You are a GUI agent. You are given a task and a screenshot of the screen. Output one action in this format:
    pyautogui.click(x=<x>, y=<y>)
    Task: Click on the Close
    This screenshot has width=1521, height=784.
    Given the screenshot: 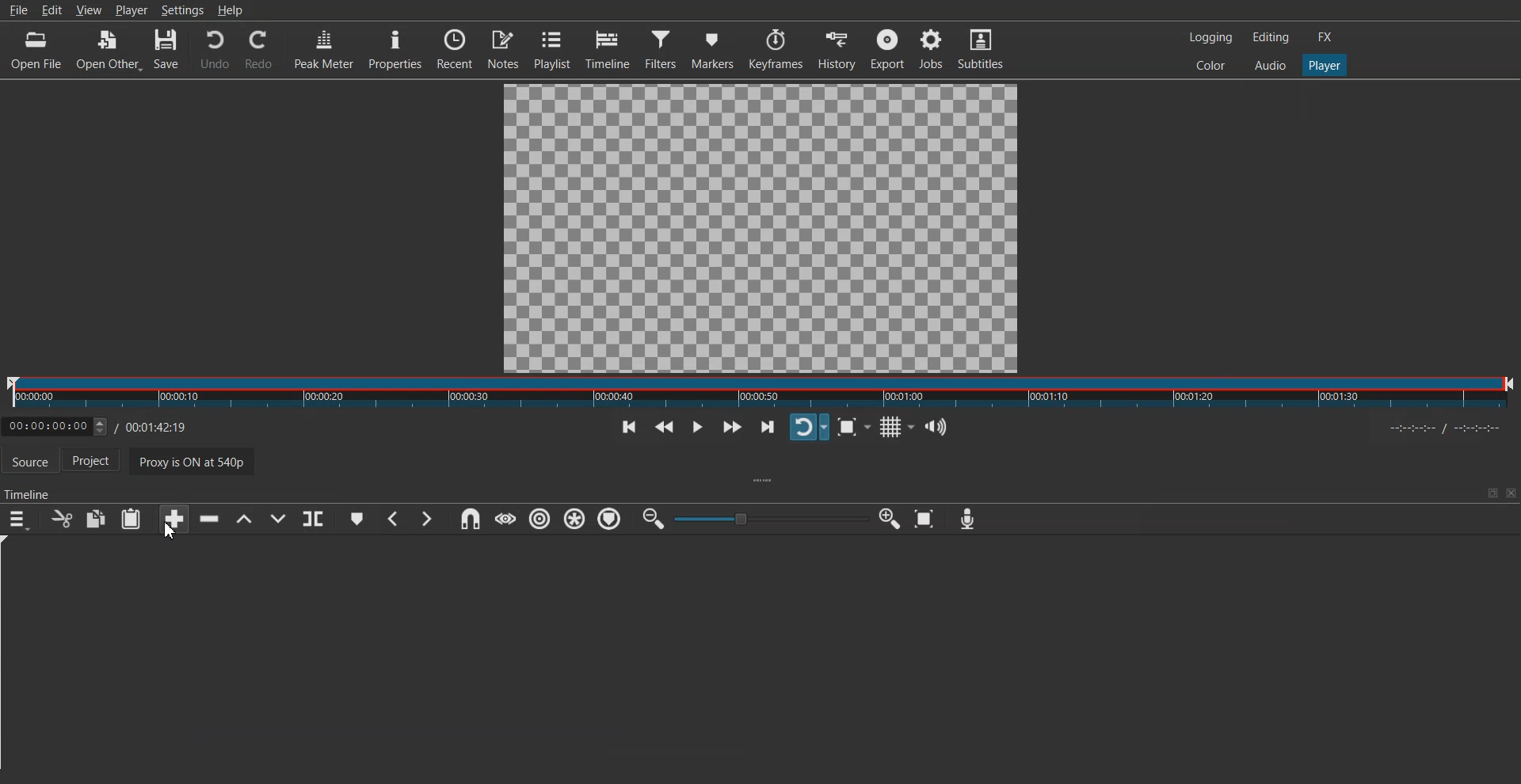 What is the action you would take?
    pyautogui.click(x=1509, y=493)
    